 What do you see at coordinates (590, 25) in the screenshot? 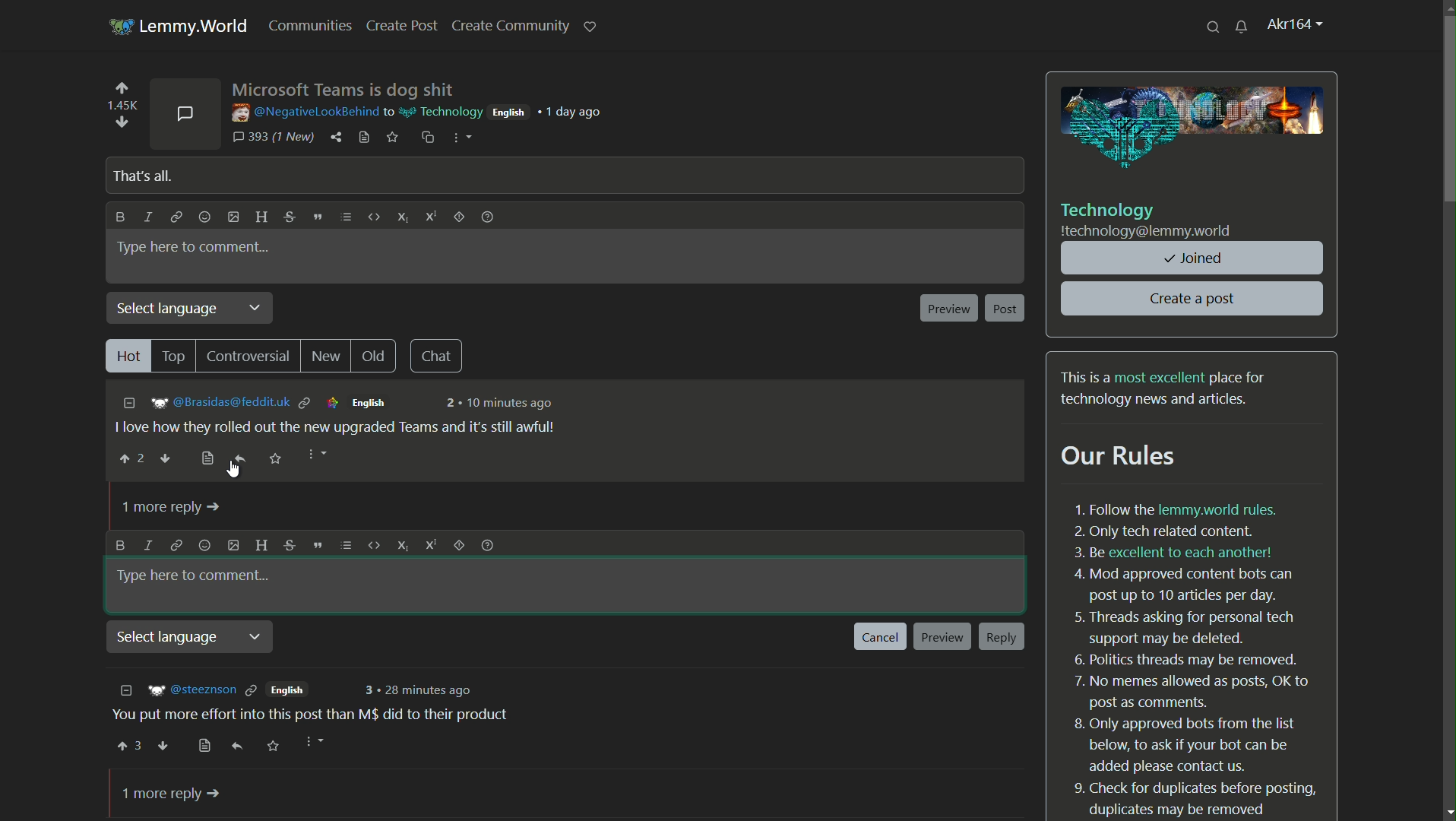
I see `support lemmy.world` at bounding box center [590, 25].